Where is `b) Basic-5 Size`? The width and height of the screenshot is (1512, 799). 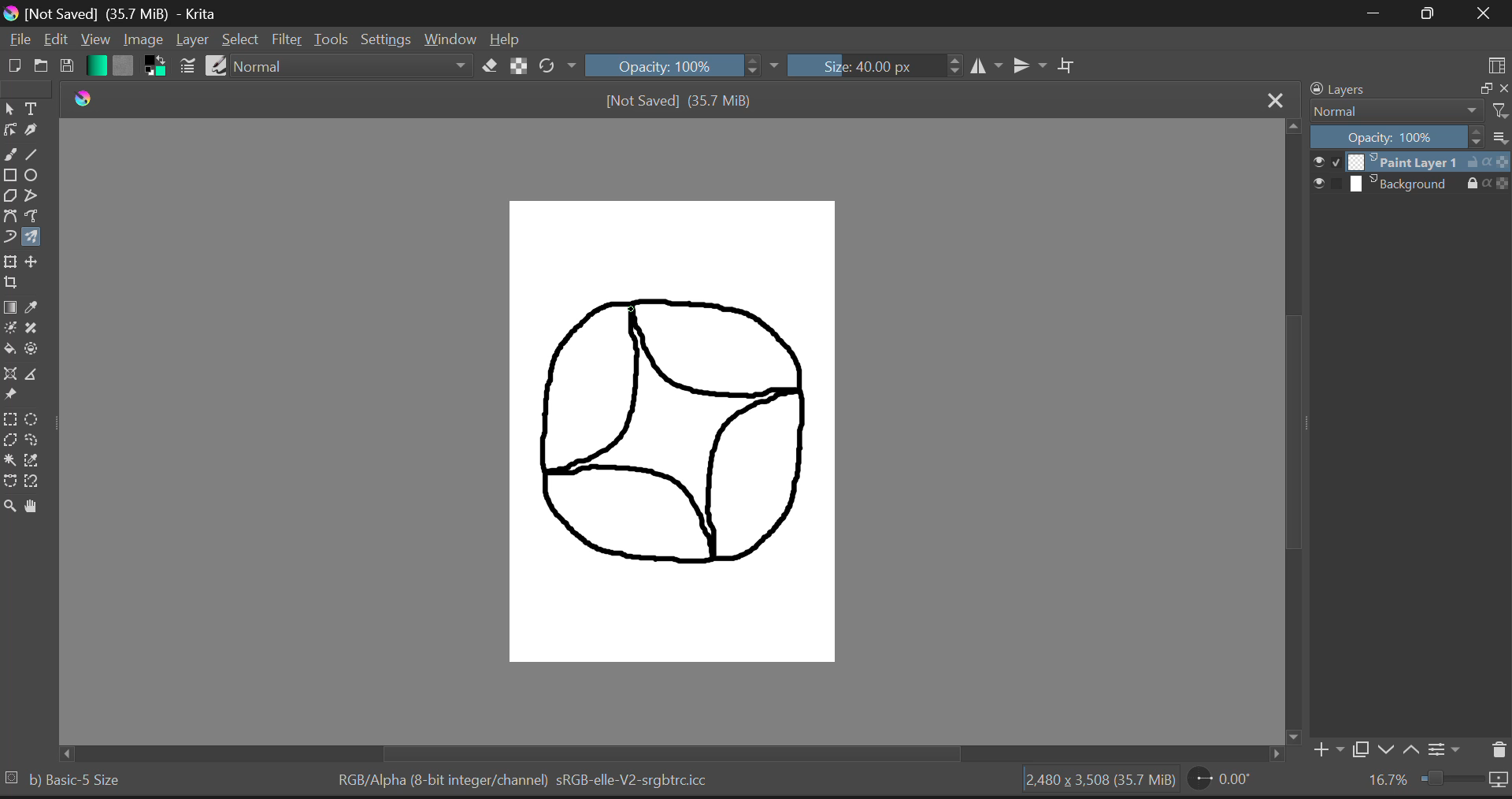 b) Basic-5 Size is located at coordinates (76, 781).